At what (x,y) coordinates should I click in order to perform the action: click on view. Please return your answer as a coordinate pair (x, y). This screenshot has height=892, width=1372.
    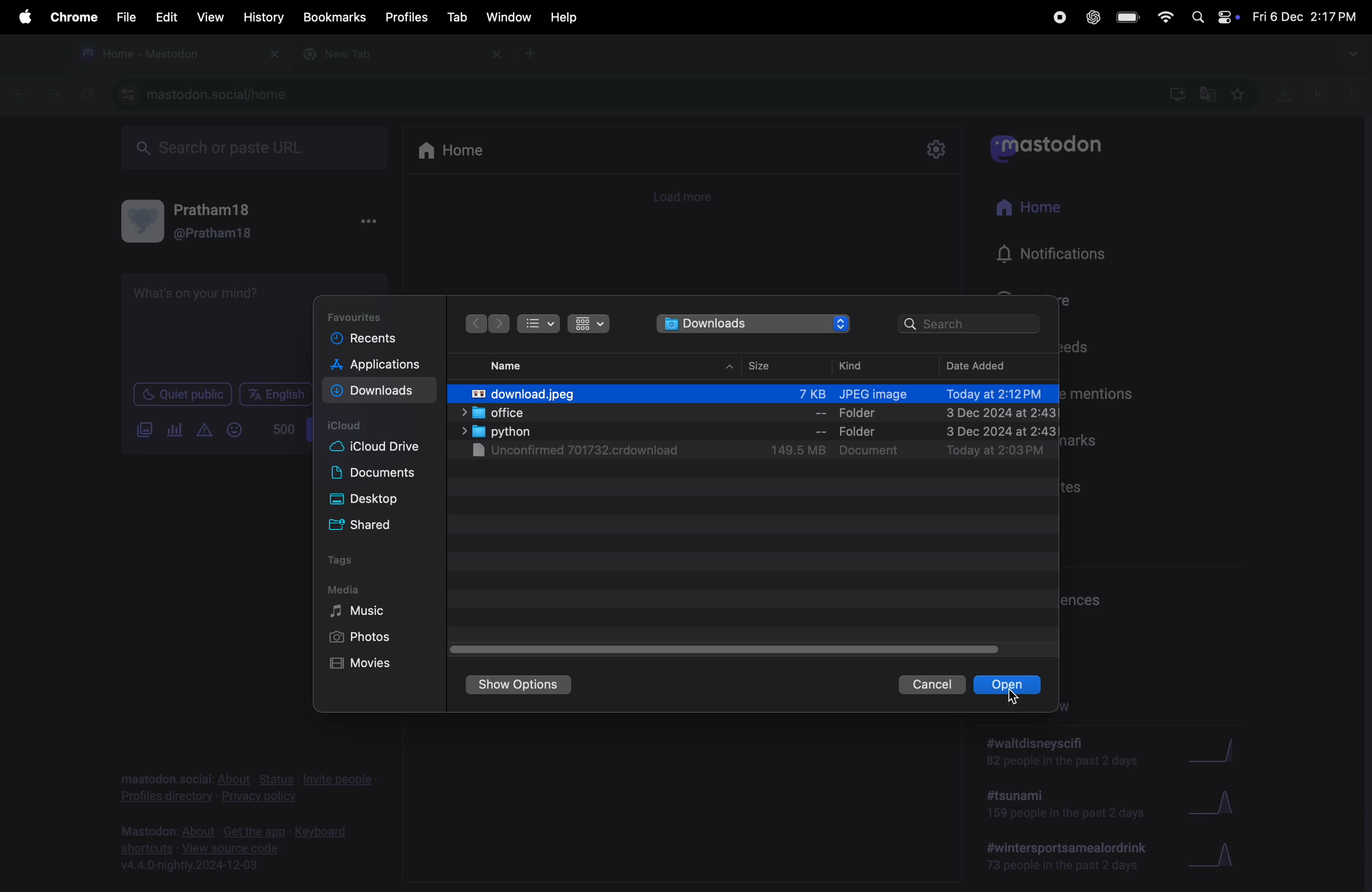
    Looking at the image, I should click on (208, 16).